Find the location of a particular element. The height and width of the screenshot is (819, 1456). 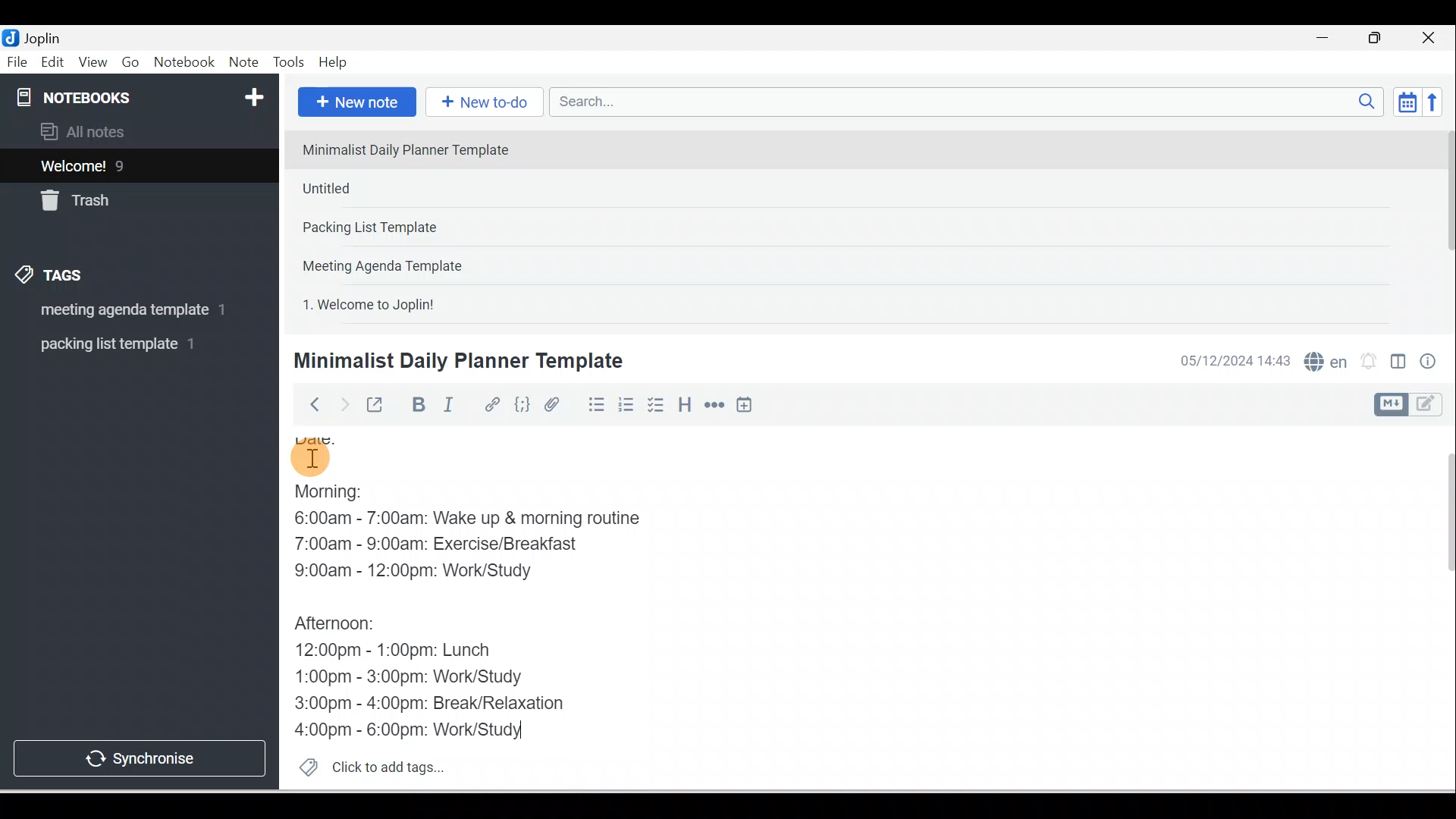

Forward is located at coordinates (343, 403).